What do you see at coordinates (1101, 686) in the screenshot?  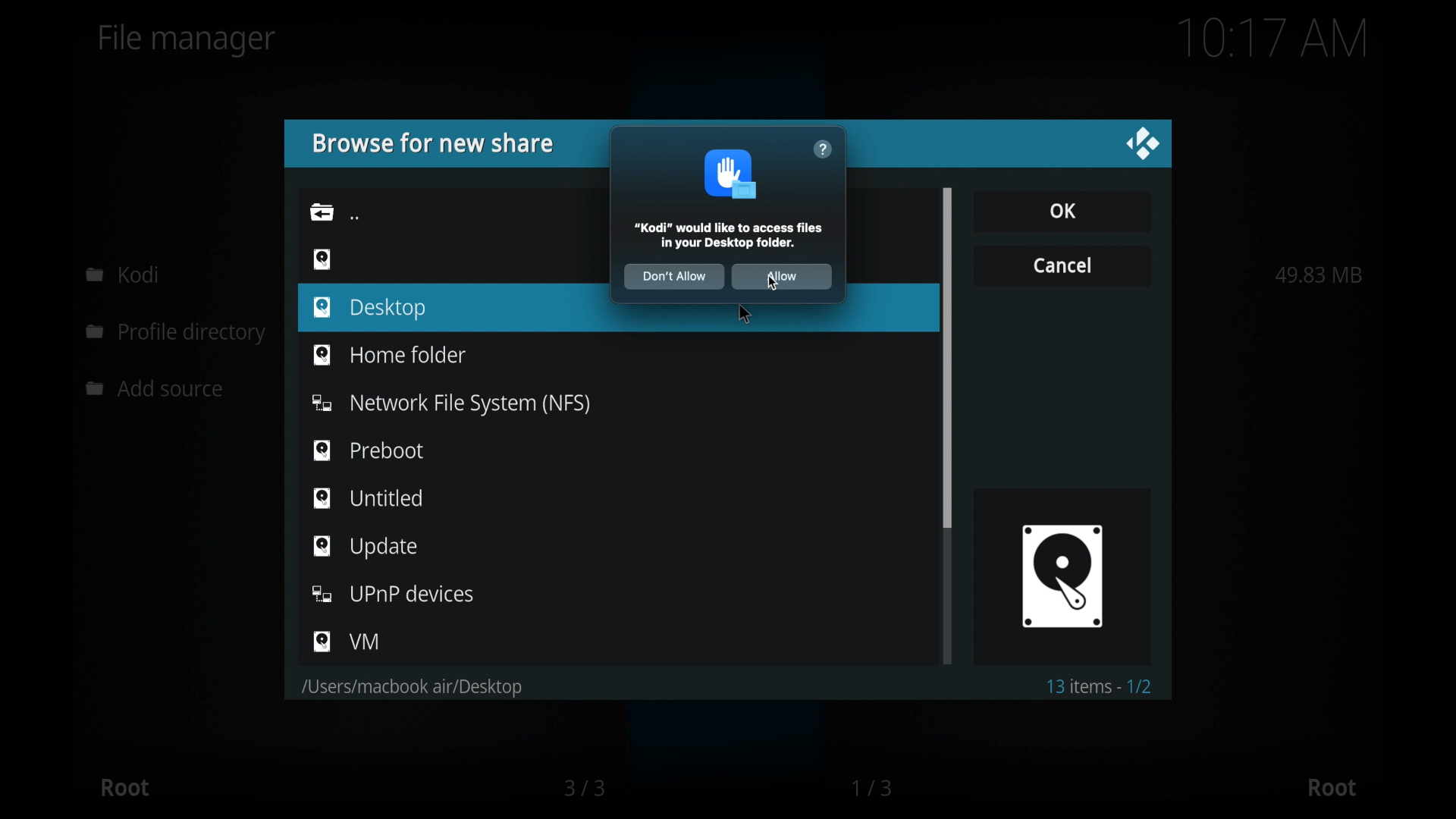 I see `13 items - 1/2 ` at bounding box center [1101, 686].